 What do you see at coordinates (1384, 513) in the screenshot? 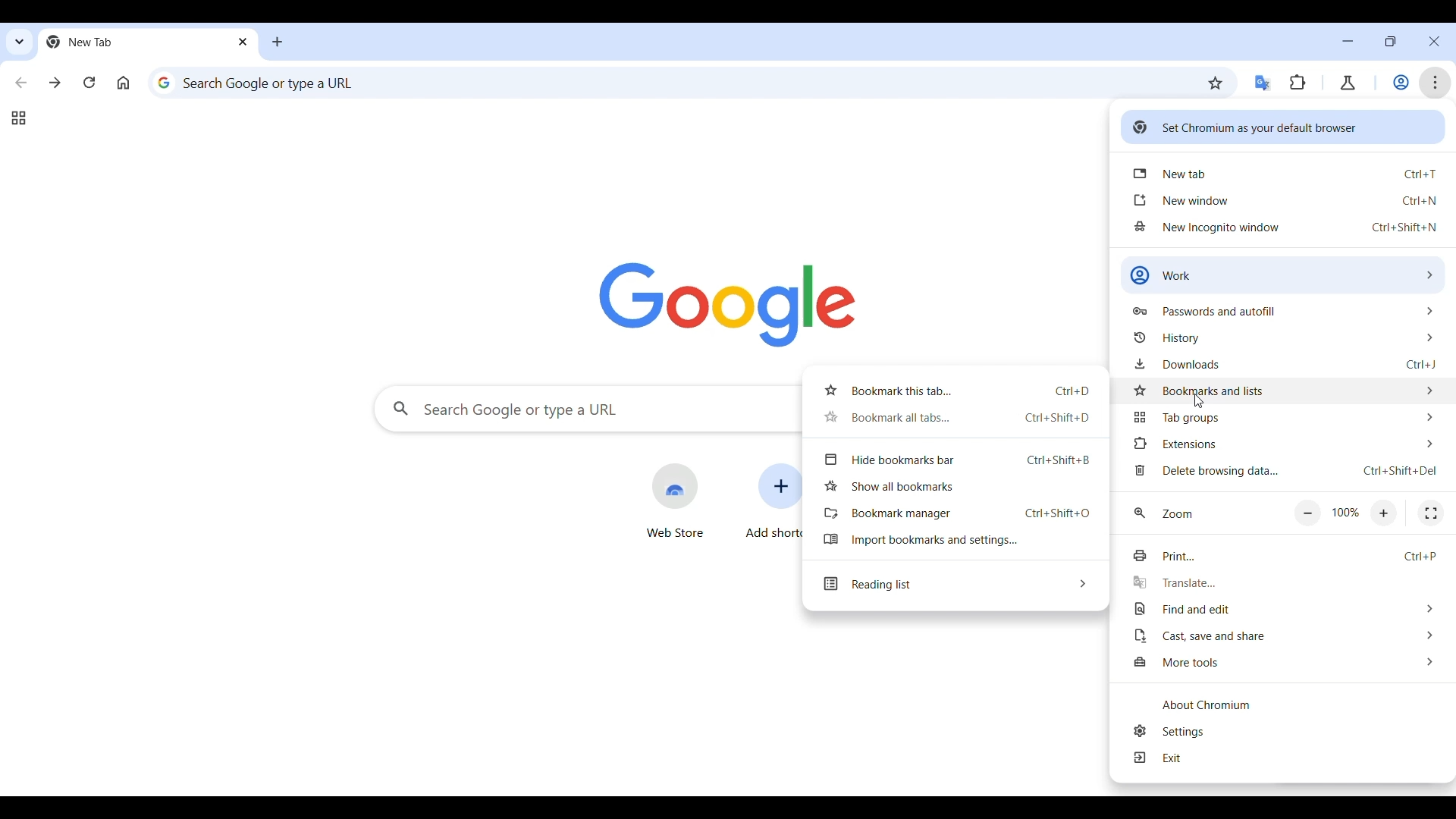
I see `Zoom in` at bounding box center [1384, 513].